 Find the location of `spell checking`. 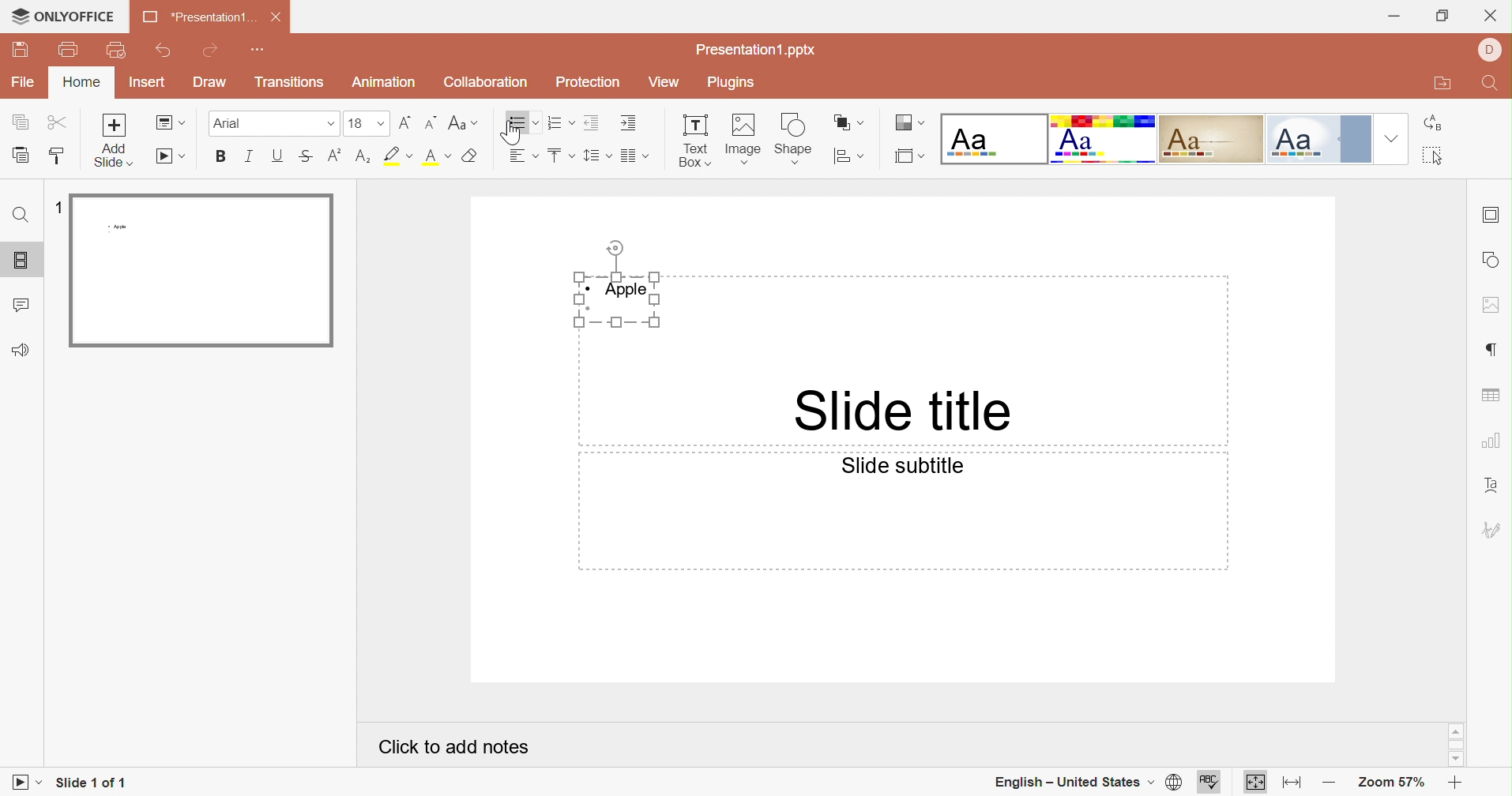

spell checking is located at coordinates (1214, 783).